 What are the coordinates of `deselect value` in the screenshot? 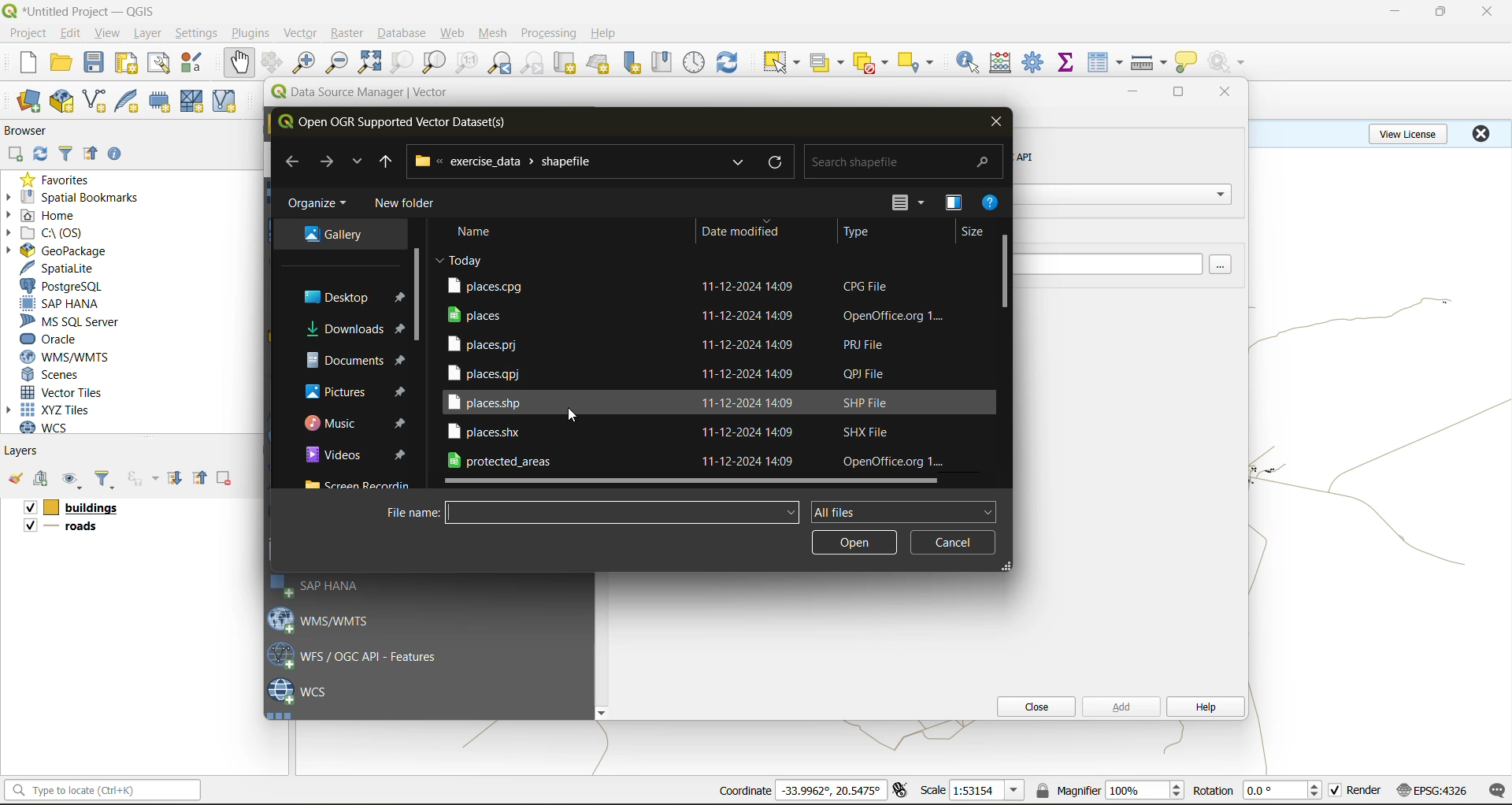 It's located at (873, 63).